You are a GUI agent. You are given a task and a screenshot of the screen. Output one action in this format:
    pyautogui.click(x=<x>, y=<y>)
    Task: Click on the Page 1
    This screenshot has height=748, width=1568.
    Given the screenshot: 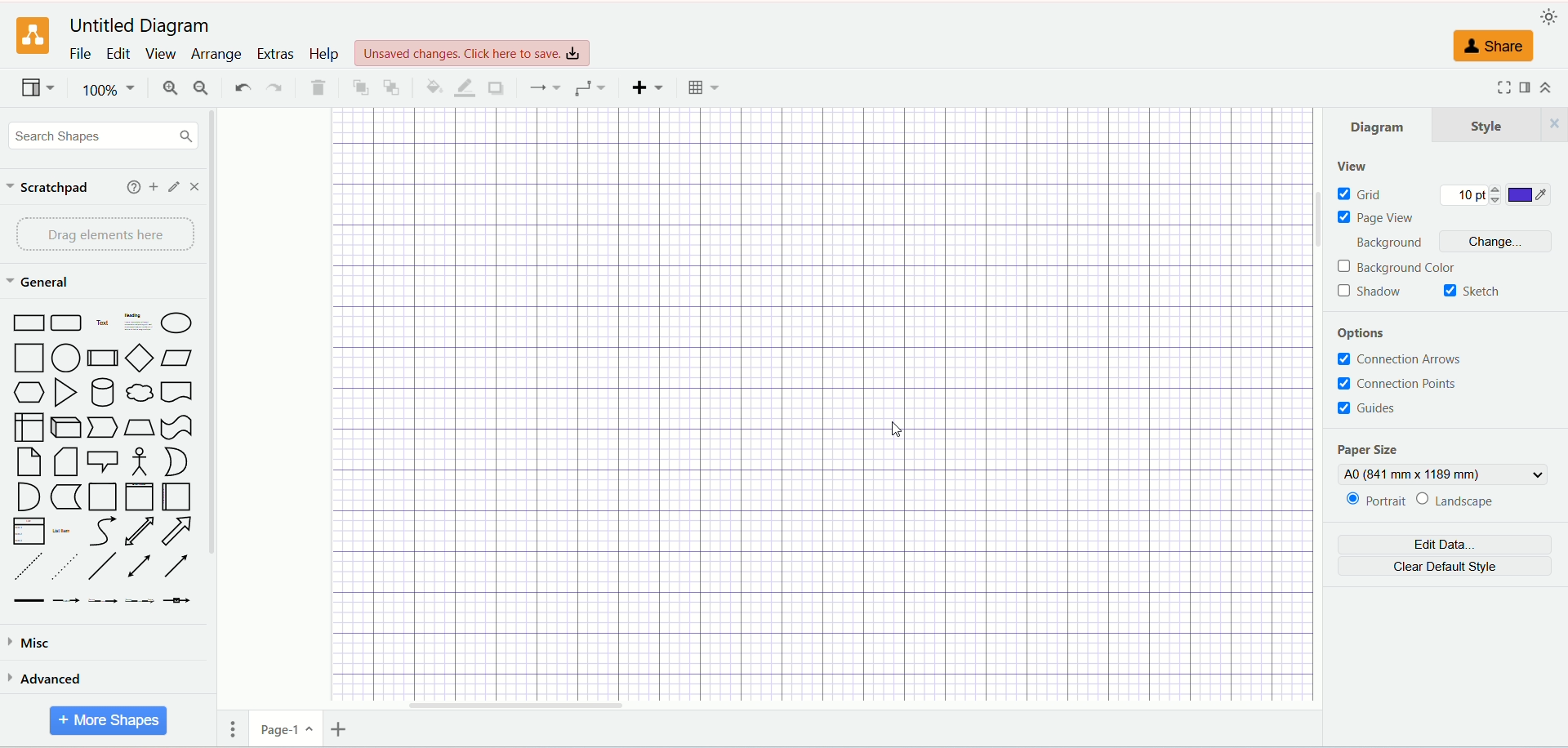 What is the action you would take?
    pyautogui.click(x=286, y=732)
    